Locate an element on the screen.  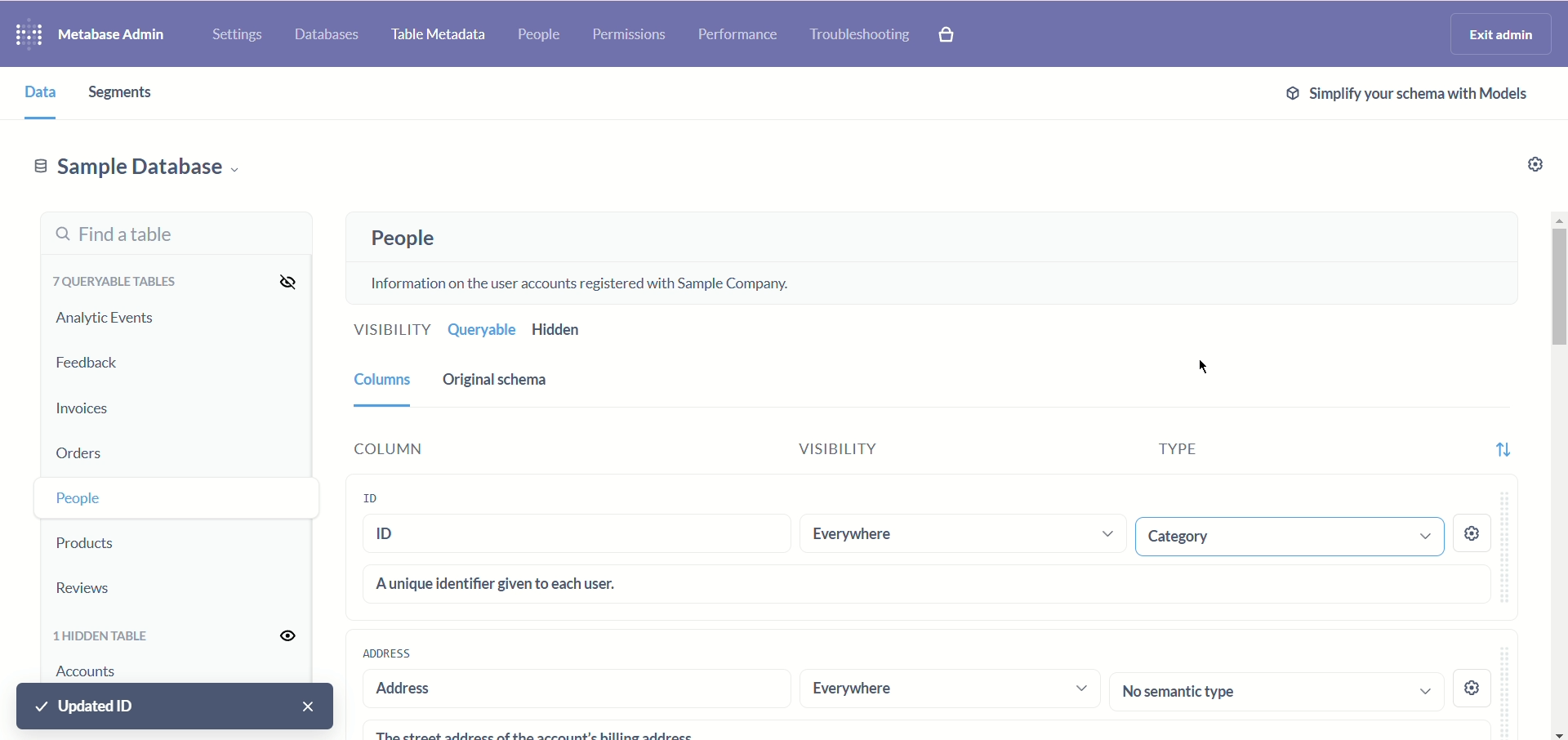
category is located at coordinates (1285, 536).